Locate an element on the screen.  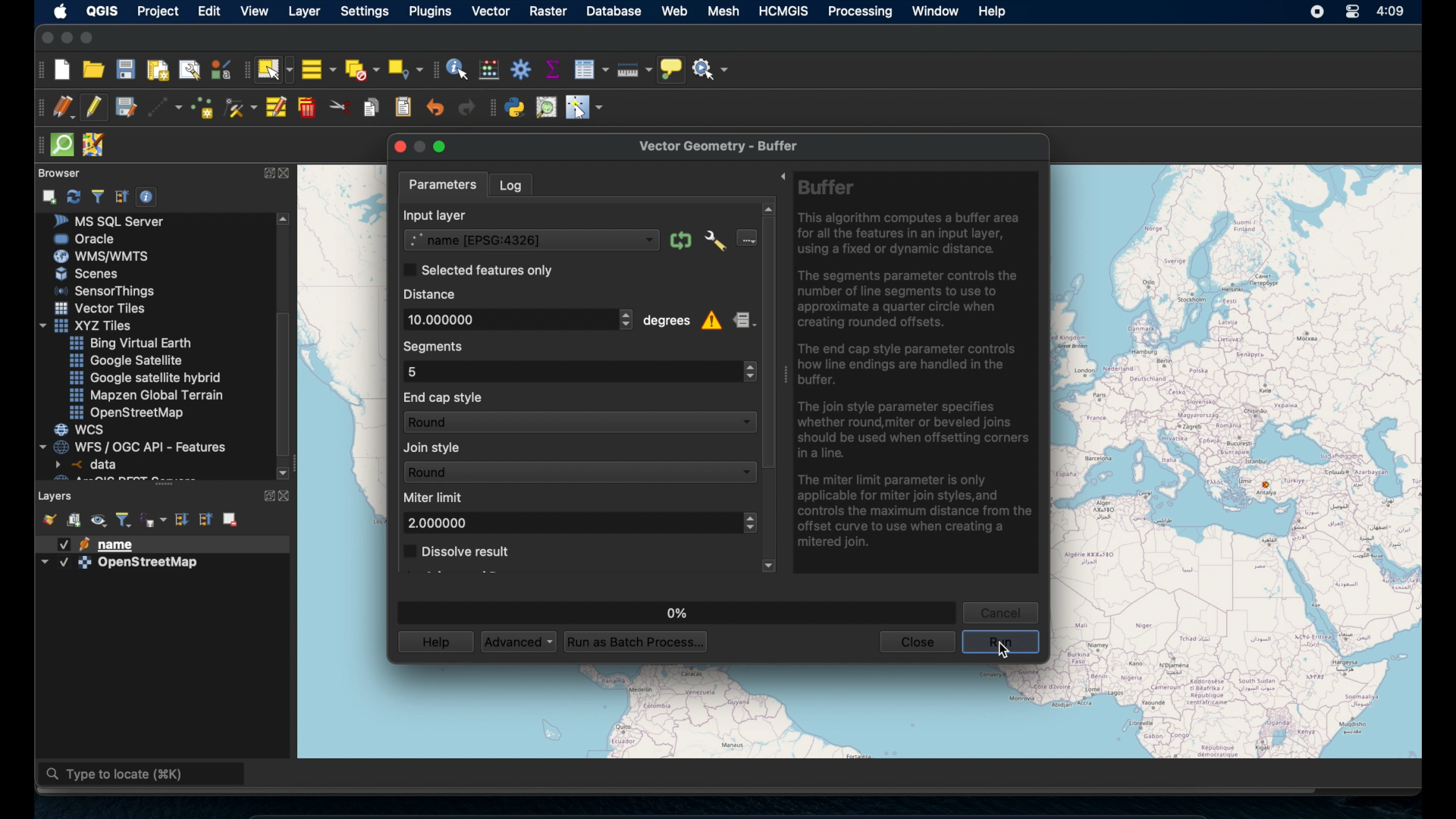
openstreetmap is located at coordinates (130, 413).